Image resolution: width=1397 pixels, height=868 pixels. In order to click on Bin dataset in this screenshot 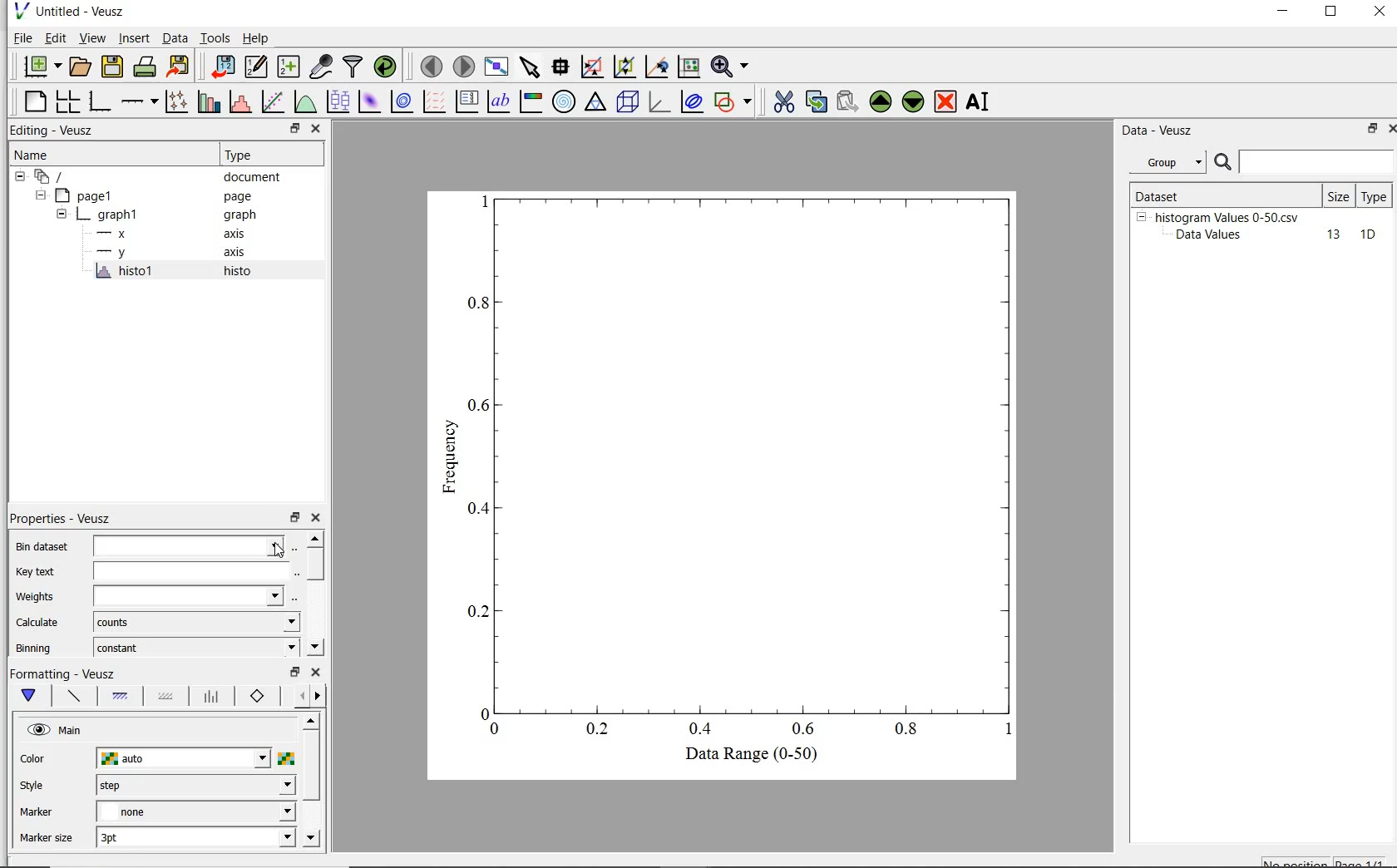, I will do `click(39, 546)`.